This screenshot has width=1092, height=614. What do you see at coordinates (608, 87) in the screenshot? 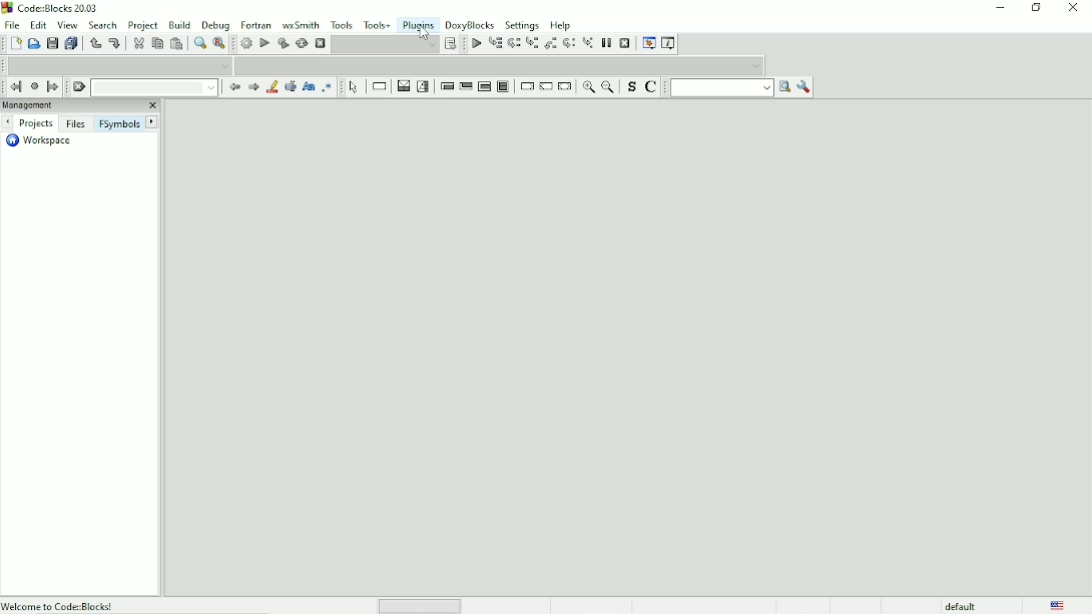
I see `Zoom out` at bounding box center [608, 87].